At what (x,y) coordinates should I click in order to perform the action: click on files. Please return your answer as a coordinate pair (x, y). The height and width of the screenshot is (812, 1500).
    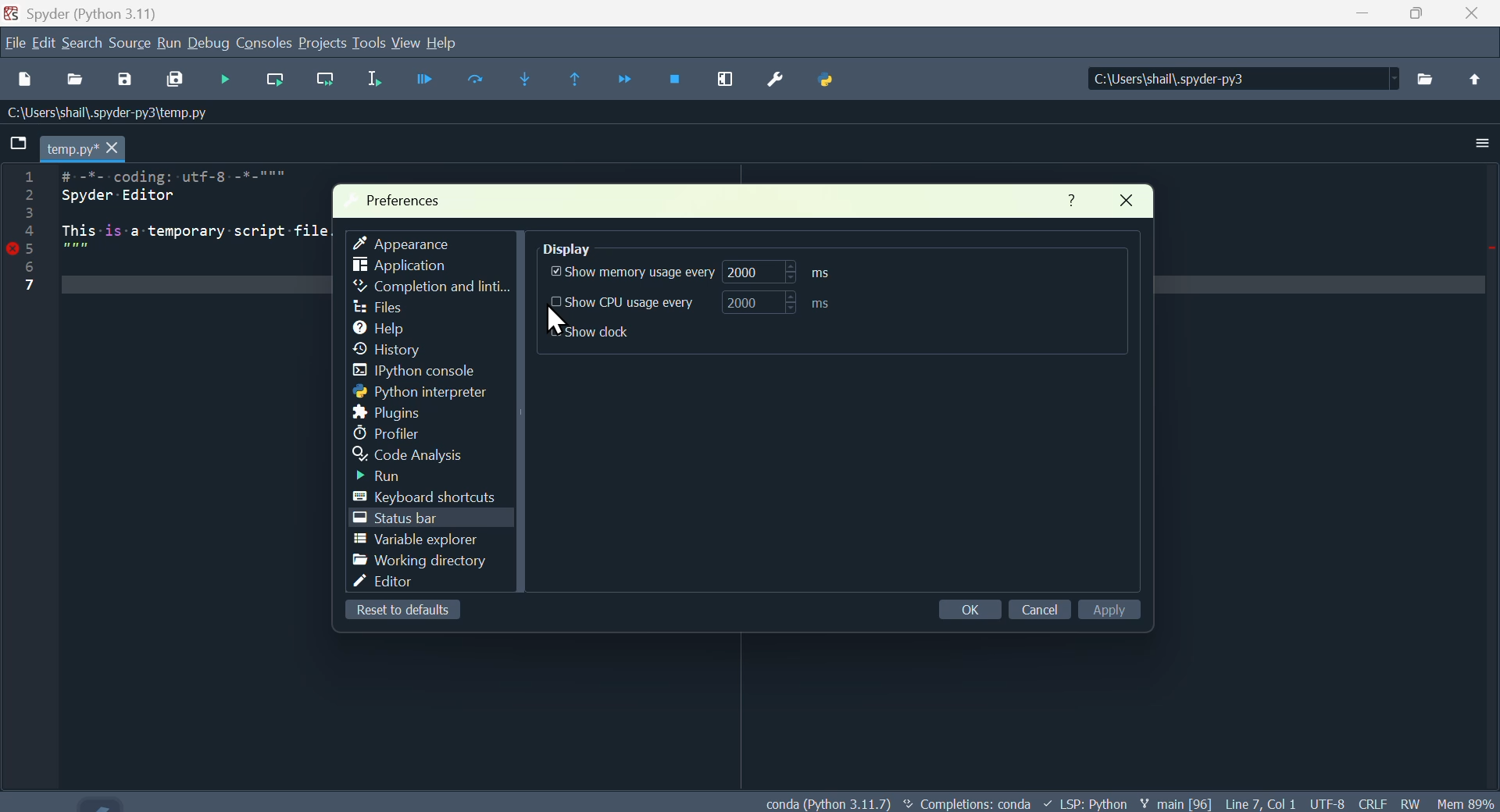
    Looking at the image, I should click on (1428, 76).